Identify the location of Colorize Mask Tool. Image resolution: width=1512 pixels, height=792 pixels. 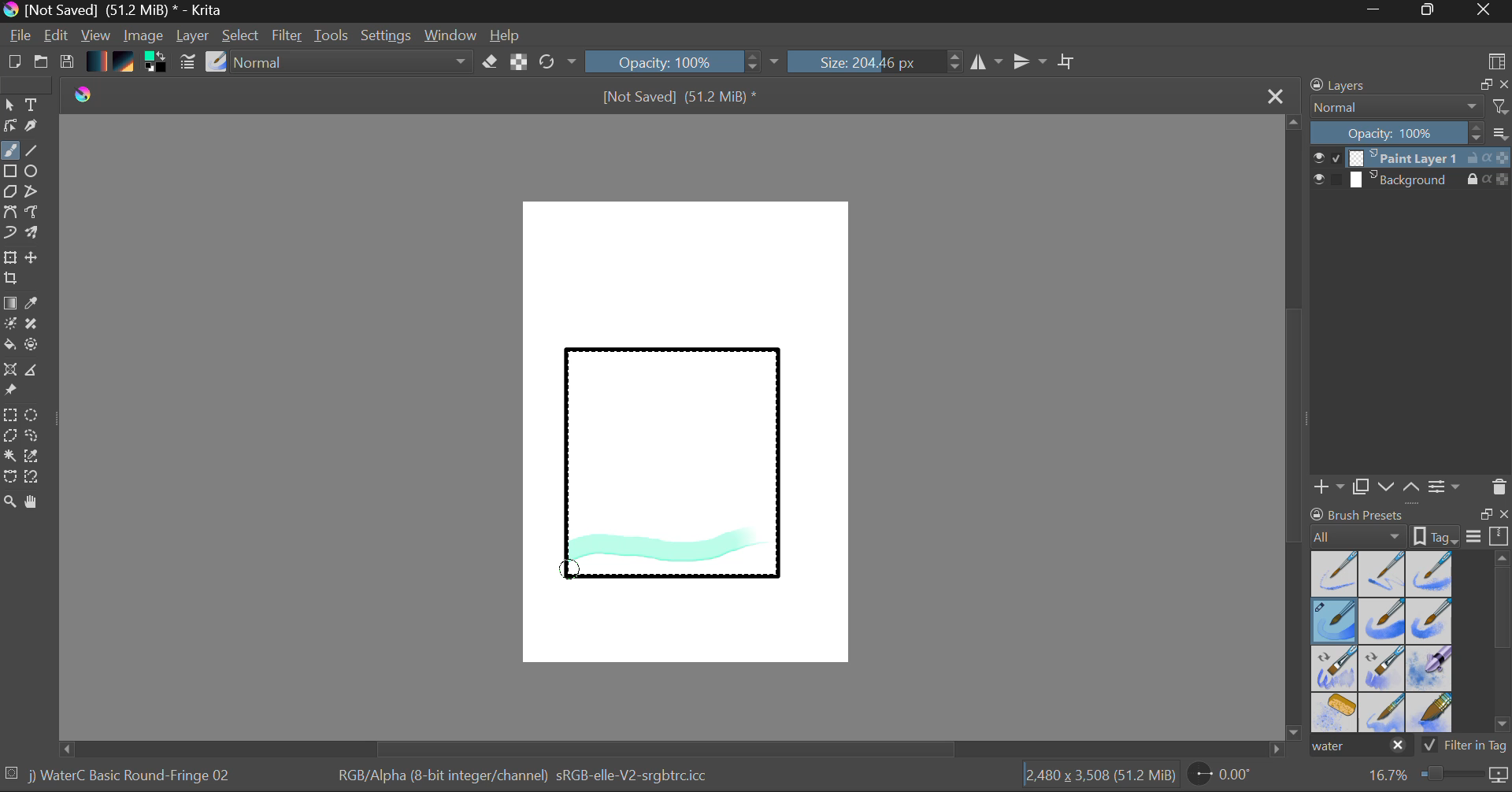
(11, 325).